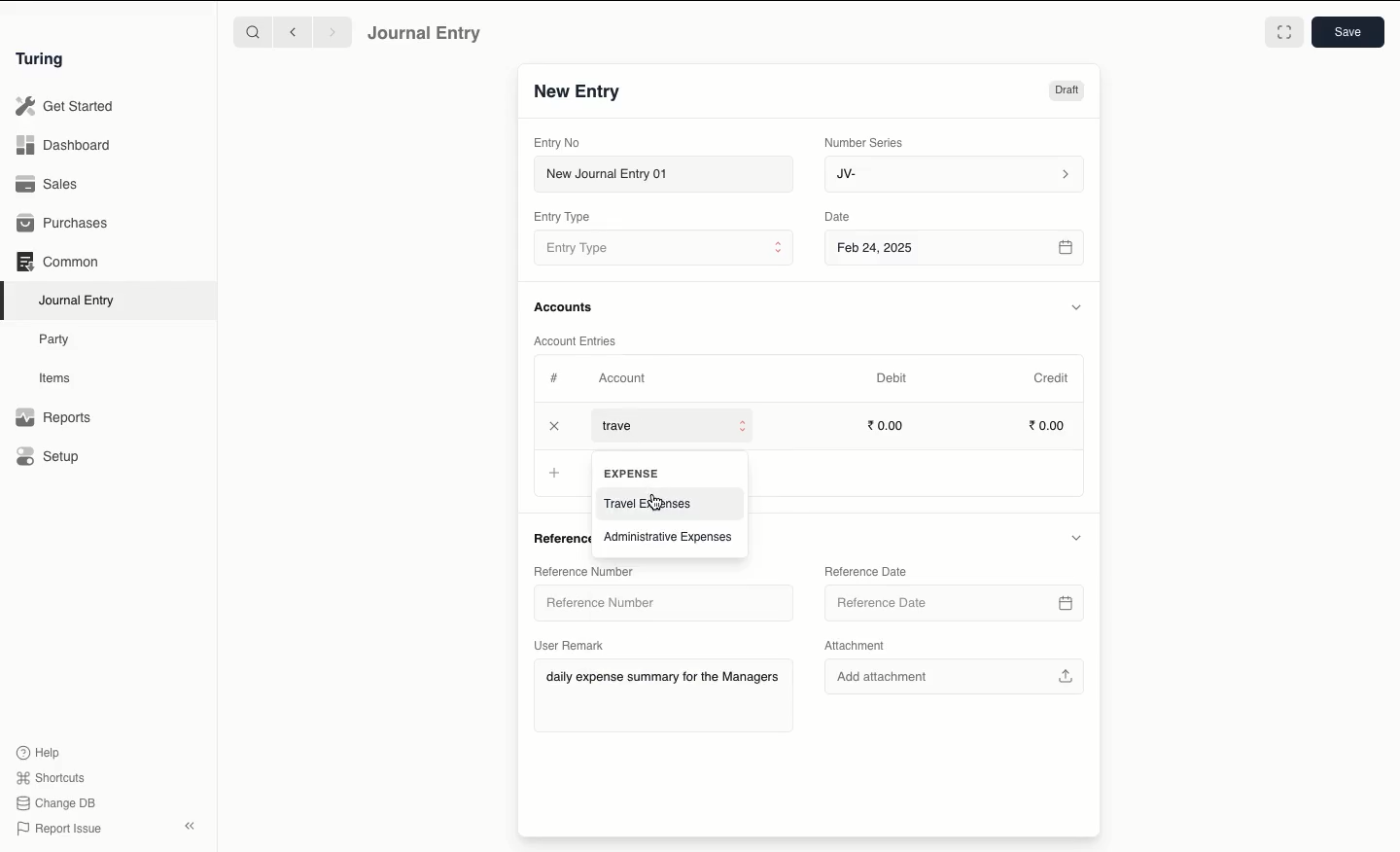  I want to click on 0.00, so click(887, 424).